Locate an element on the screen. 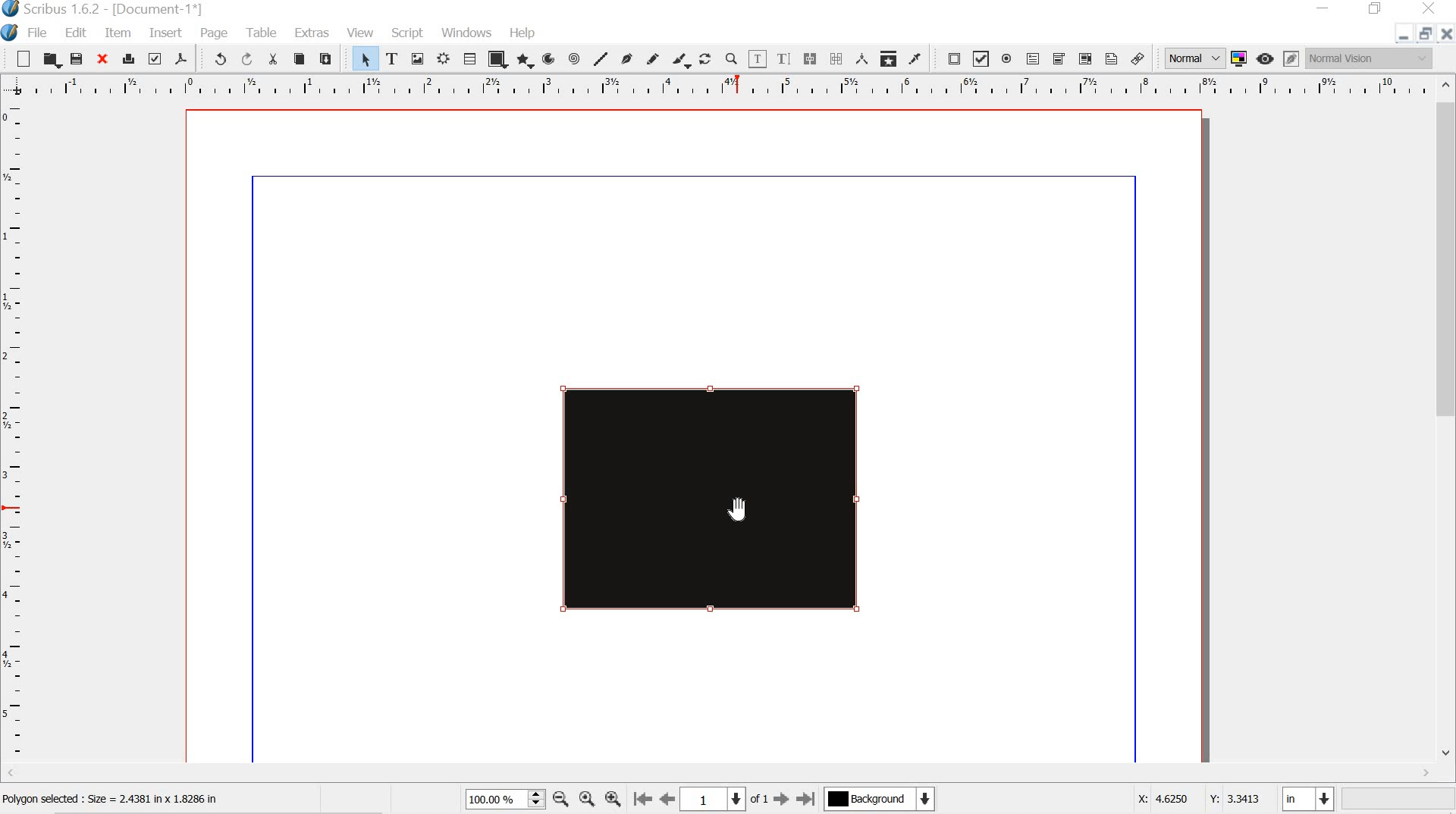 This screenshot has width=1456, height=814. edit in preview mode is located at coordinates (1291, 57).